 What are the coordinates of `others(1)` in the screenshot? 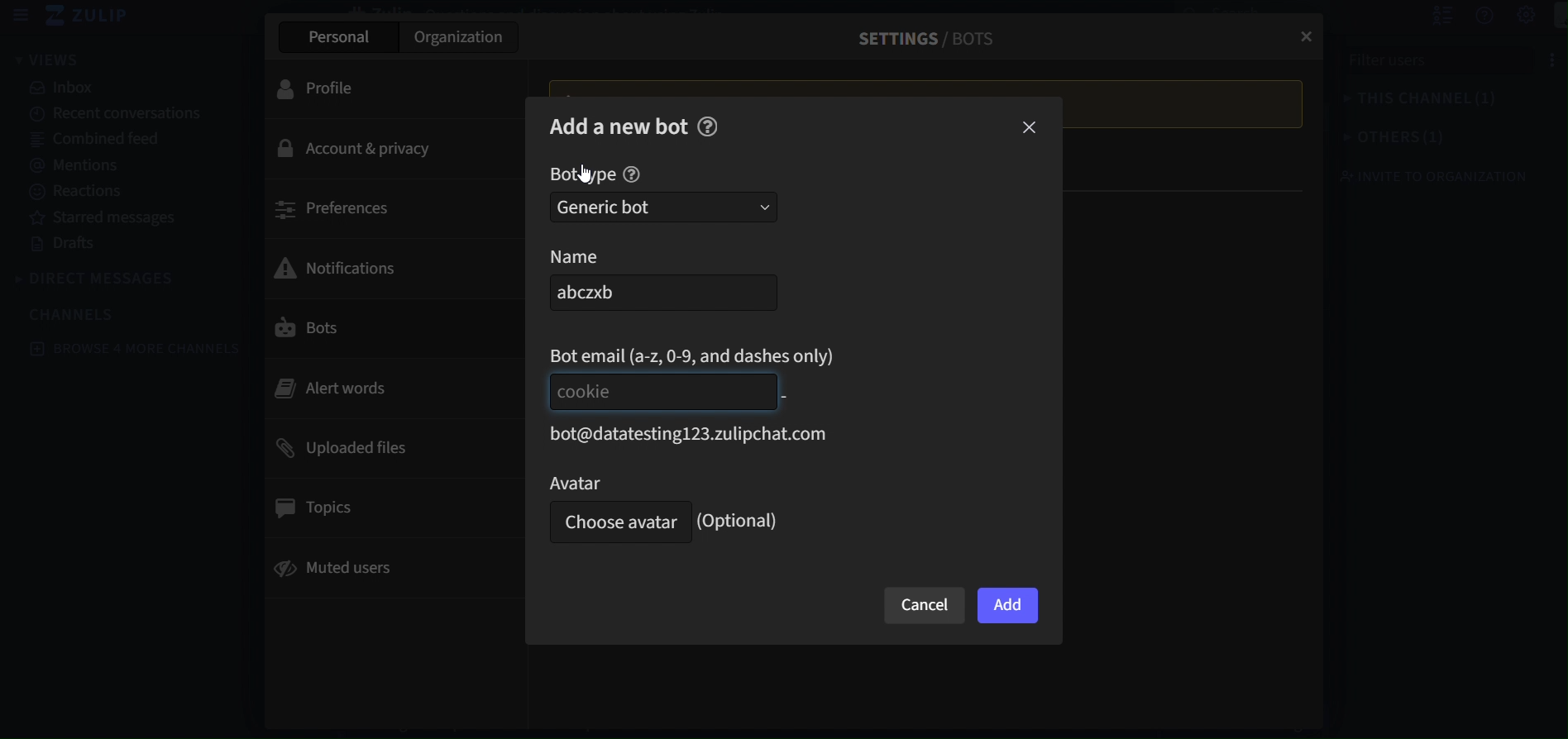 It's located at (1429, 139).